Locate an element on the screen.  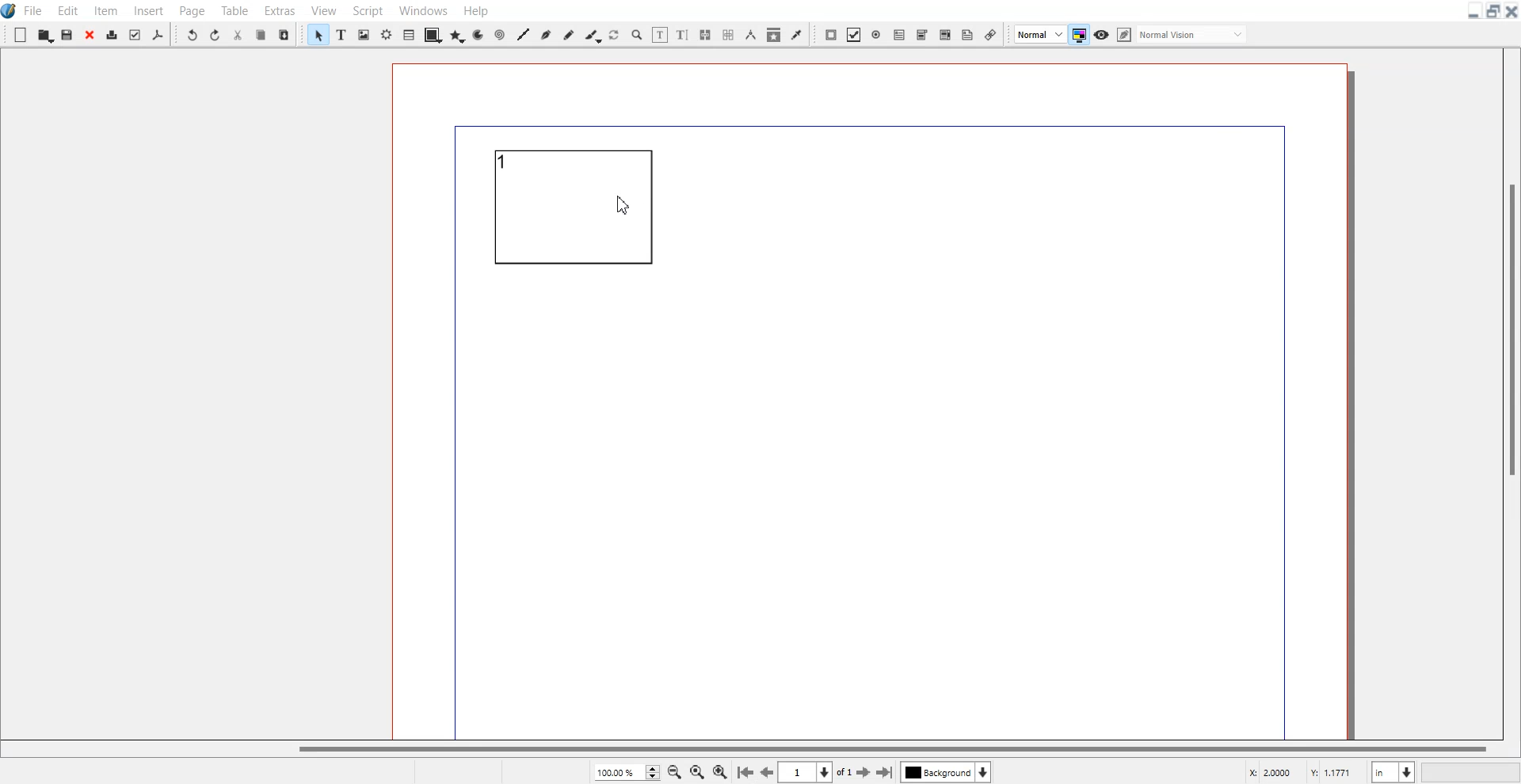
Maximize is located at coordinates (1492, 10).